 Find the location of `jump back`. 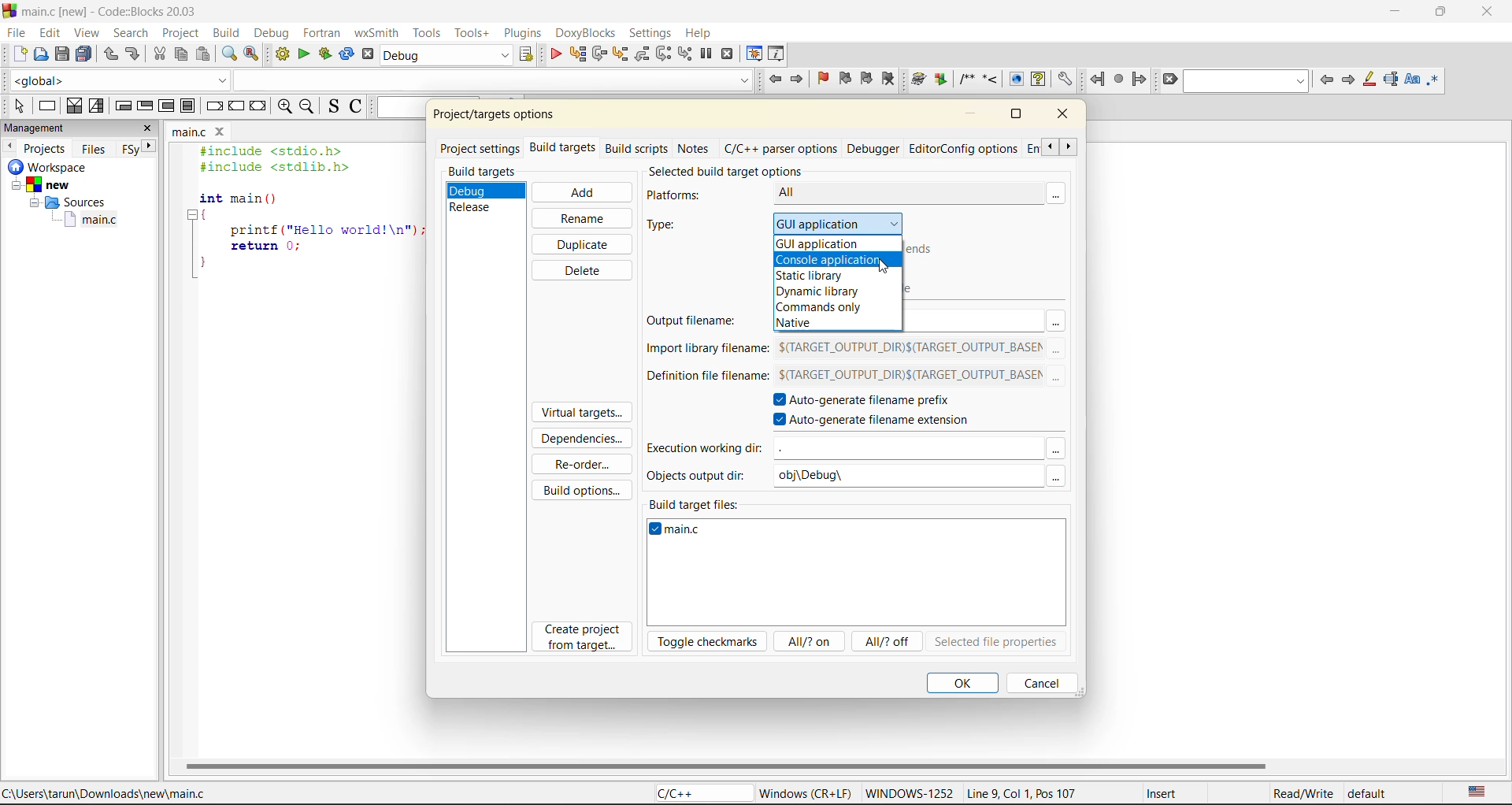

jump back is located at coordinates (774, 80).